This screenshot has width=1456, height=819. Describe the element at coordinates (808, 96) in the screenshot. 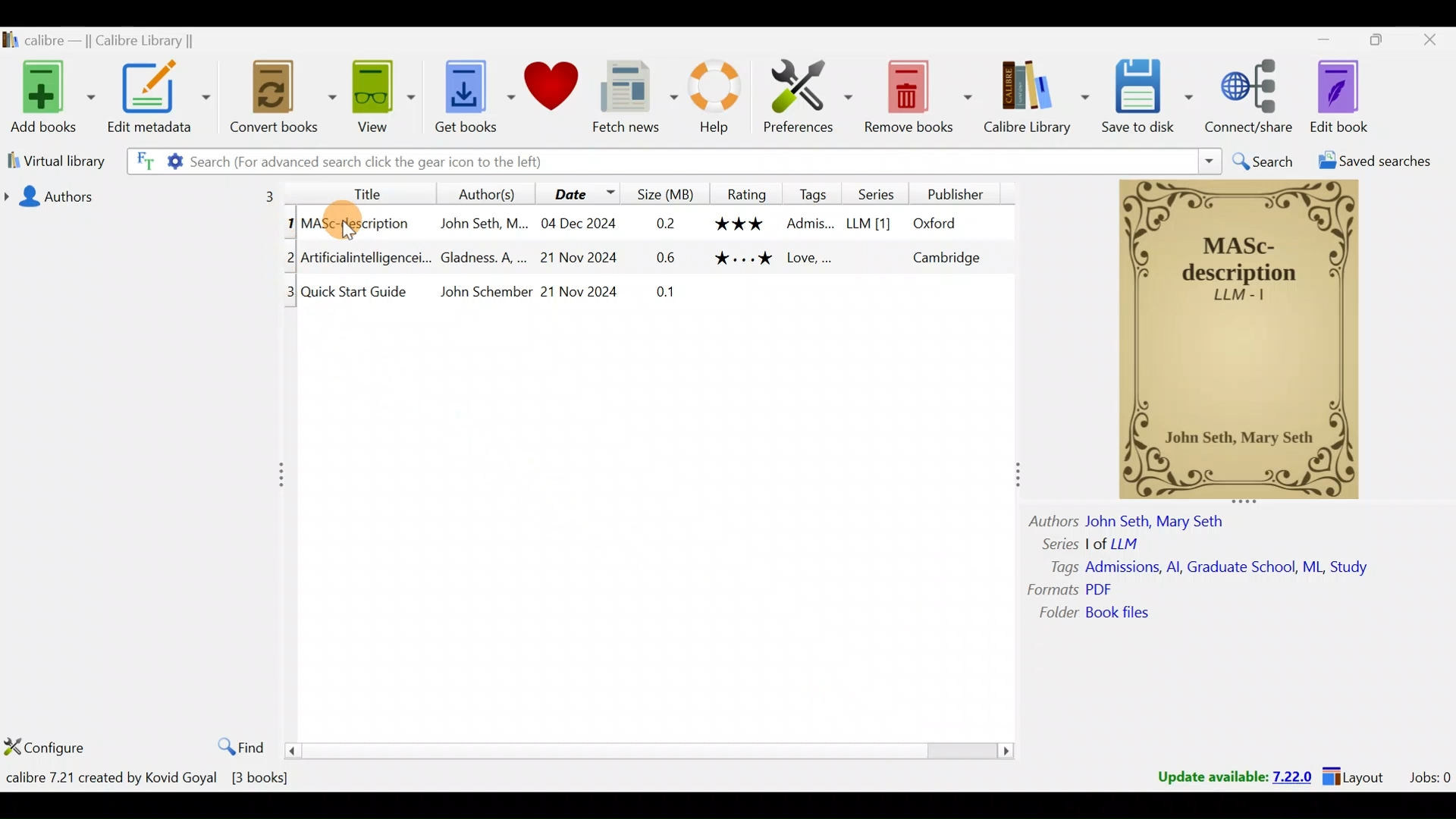

I see `Preferences` at that location.